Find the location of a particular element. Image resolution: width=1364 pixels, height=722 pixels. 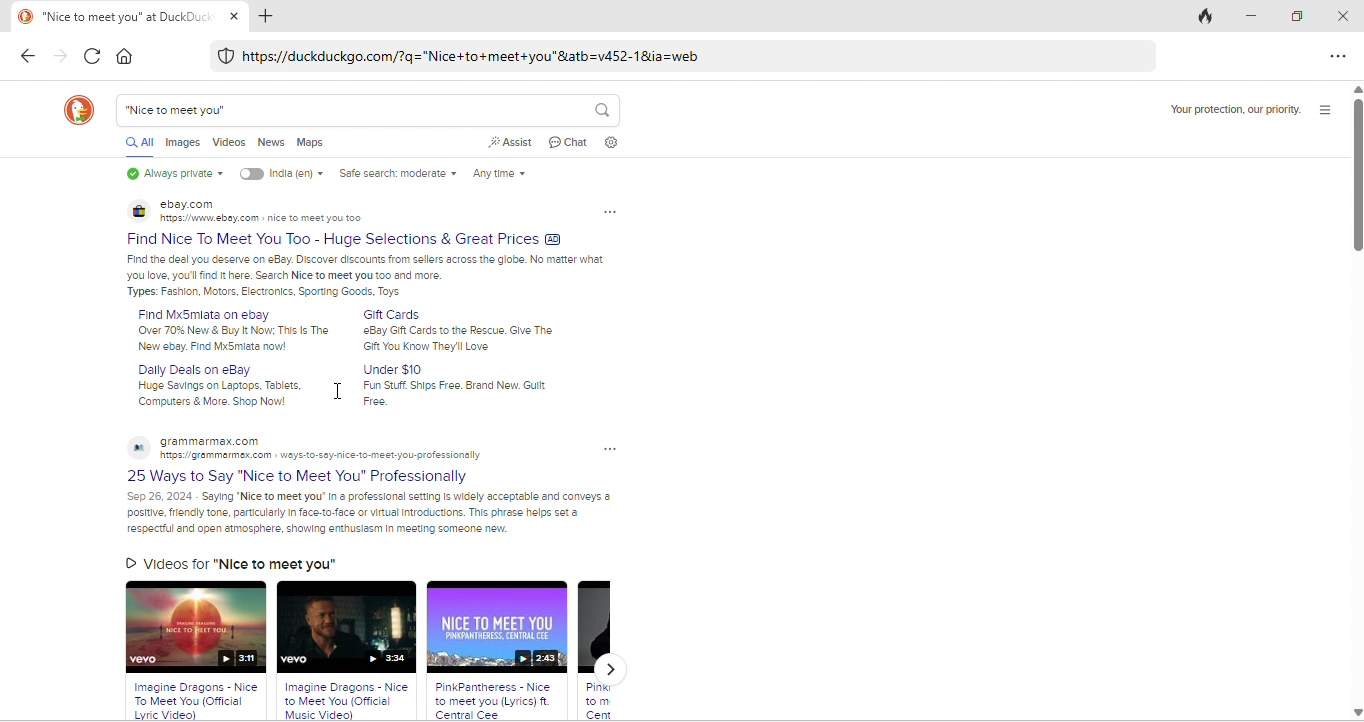

vertical scroll bar is located at coordinates (1355, 402).